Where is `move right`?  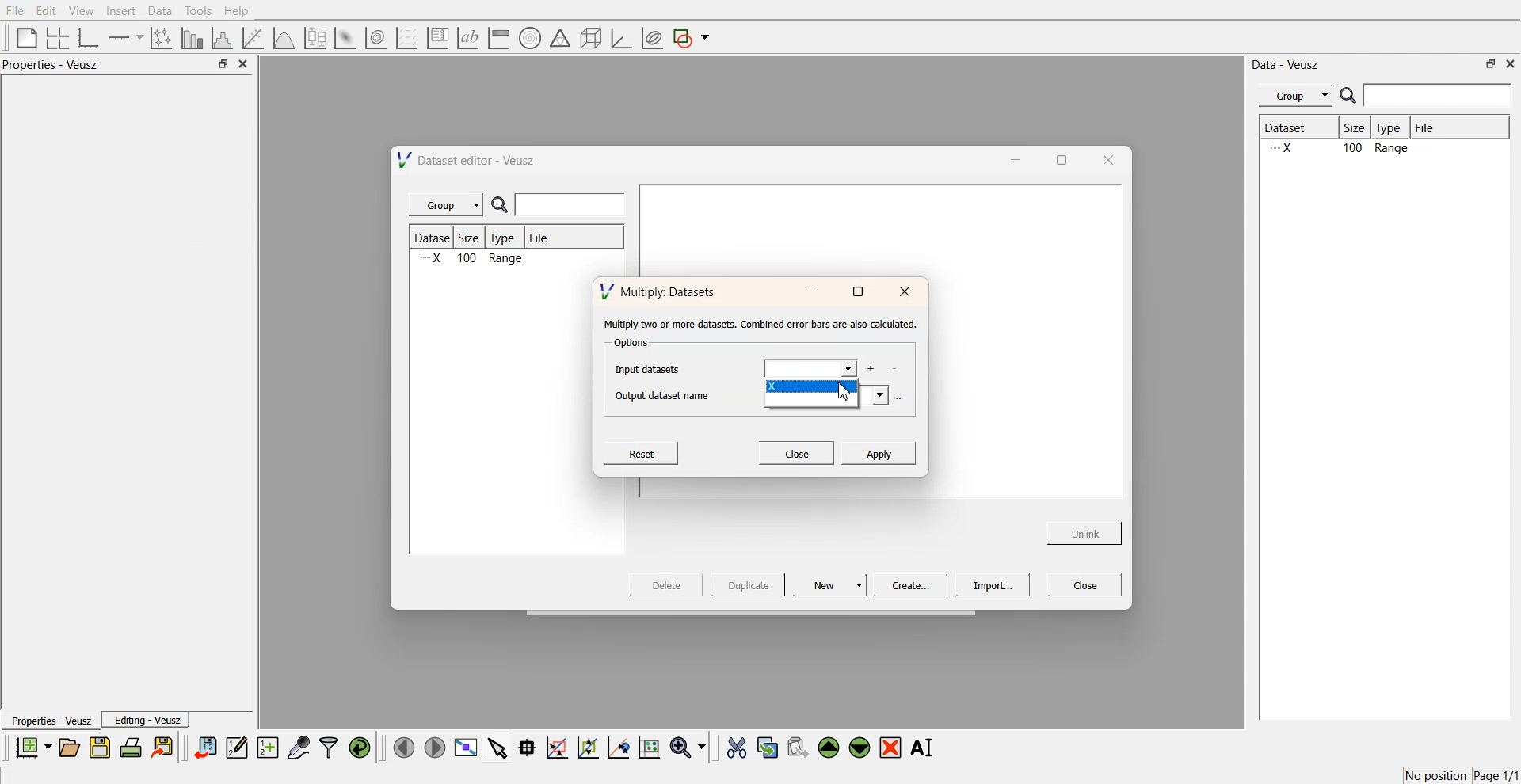 move right is located at coordinates (434, 746).